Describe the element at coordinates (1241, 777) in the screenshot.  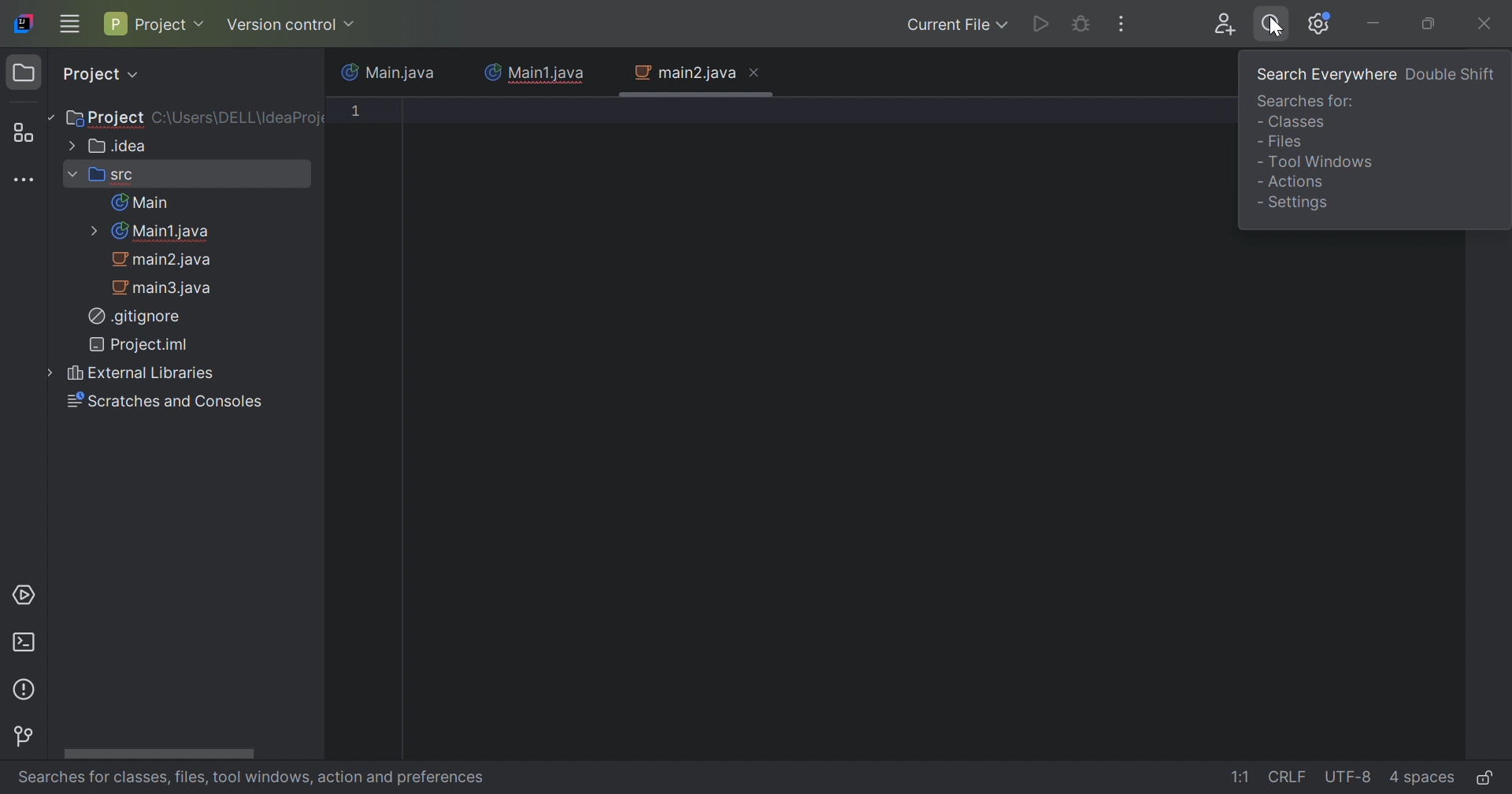
I see `1:1` at that location.